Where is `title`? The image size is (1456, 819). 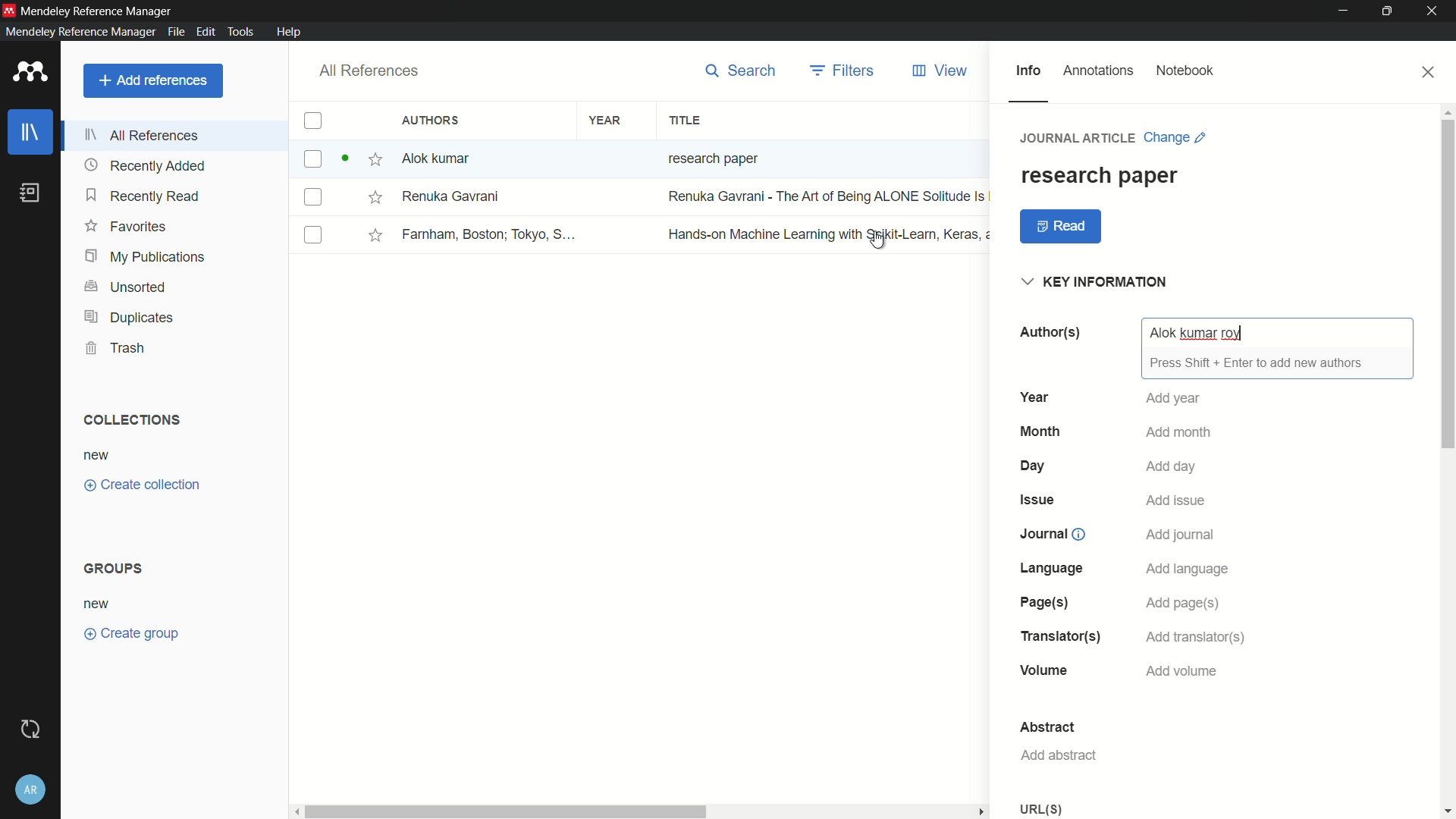
title is located at coordinates (684, 121).